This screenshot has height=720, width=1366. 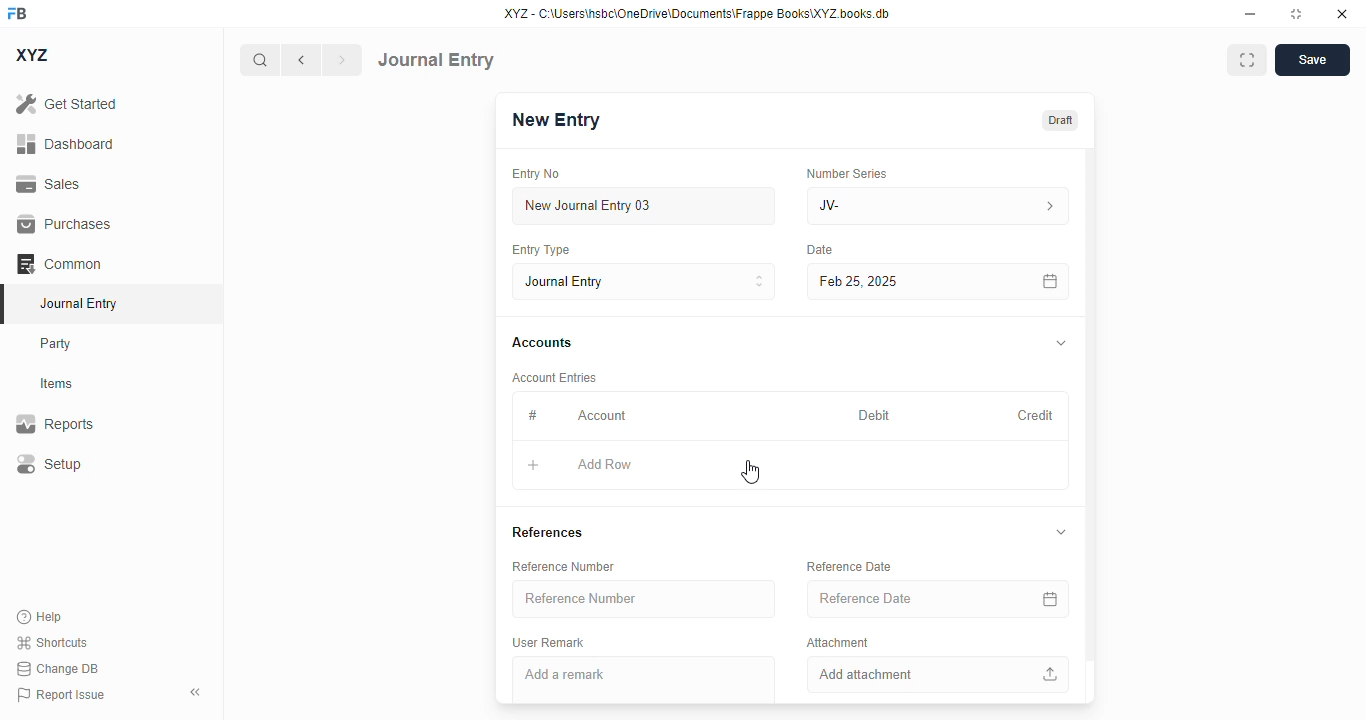 What do you see at coordinates (57, 384) in the screenshot?
I see `items` at bounding box center [57, 384].